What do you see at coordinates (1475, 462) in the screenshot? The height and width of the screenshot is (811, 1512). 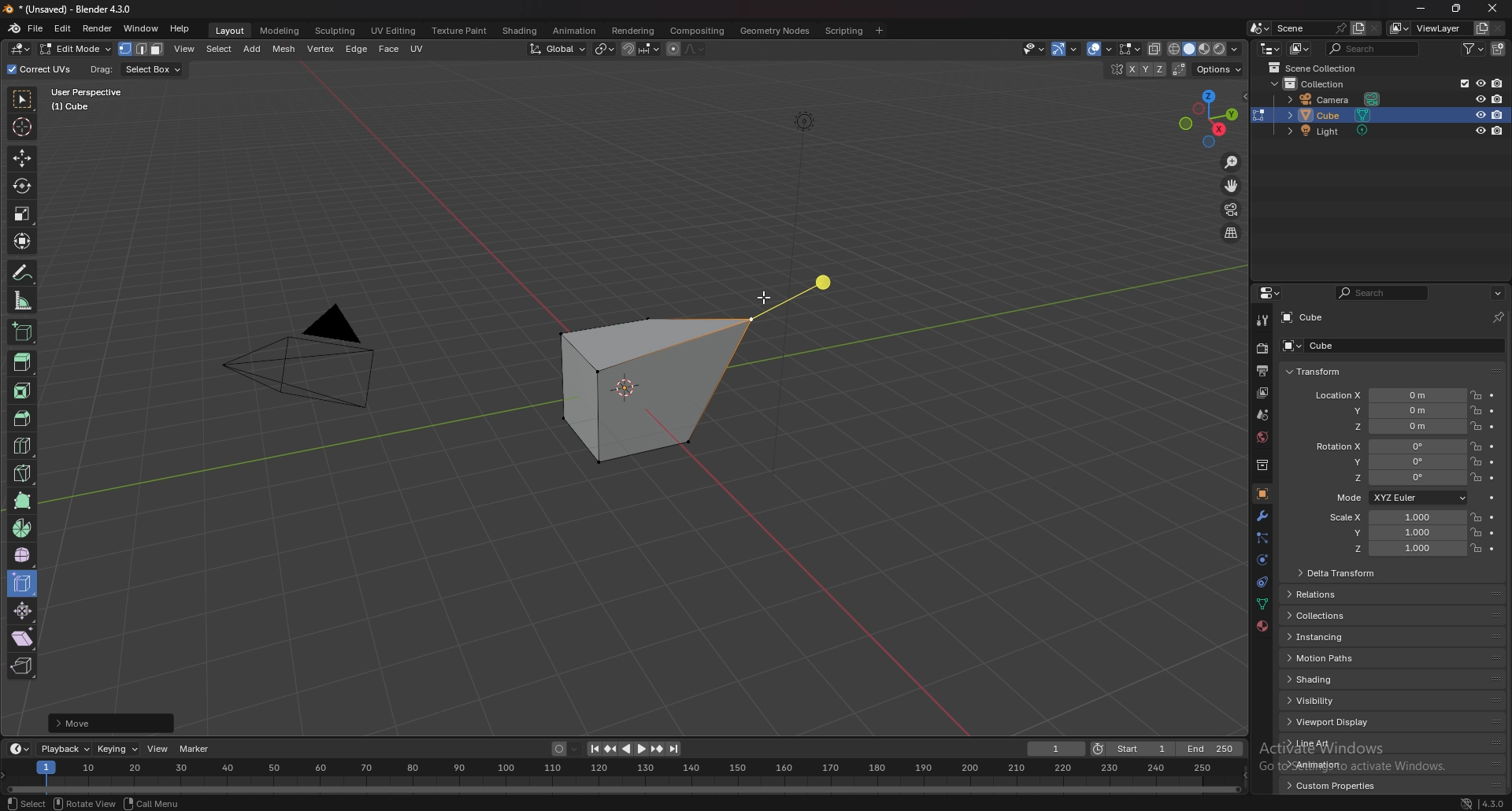 I see `lock` at bounding box center [1475, 462].